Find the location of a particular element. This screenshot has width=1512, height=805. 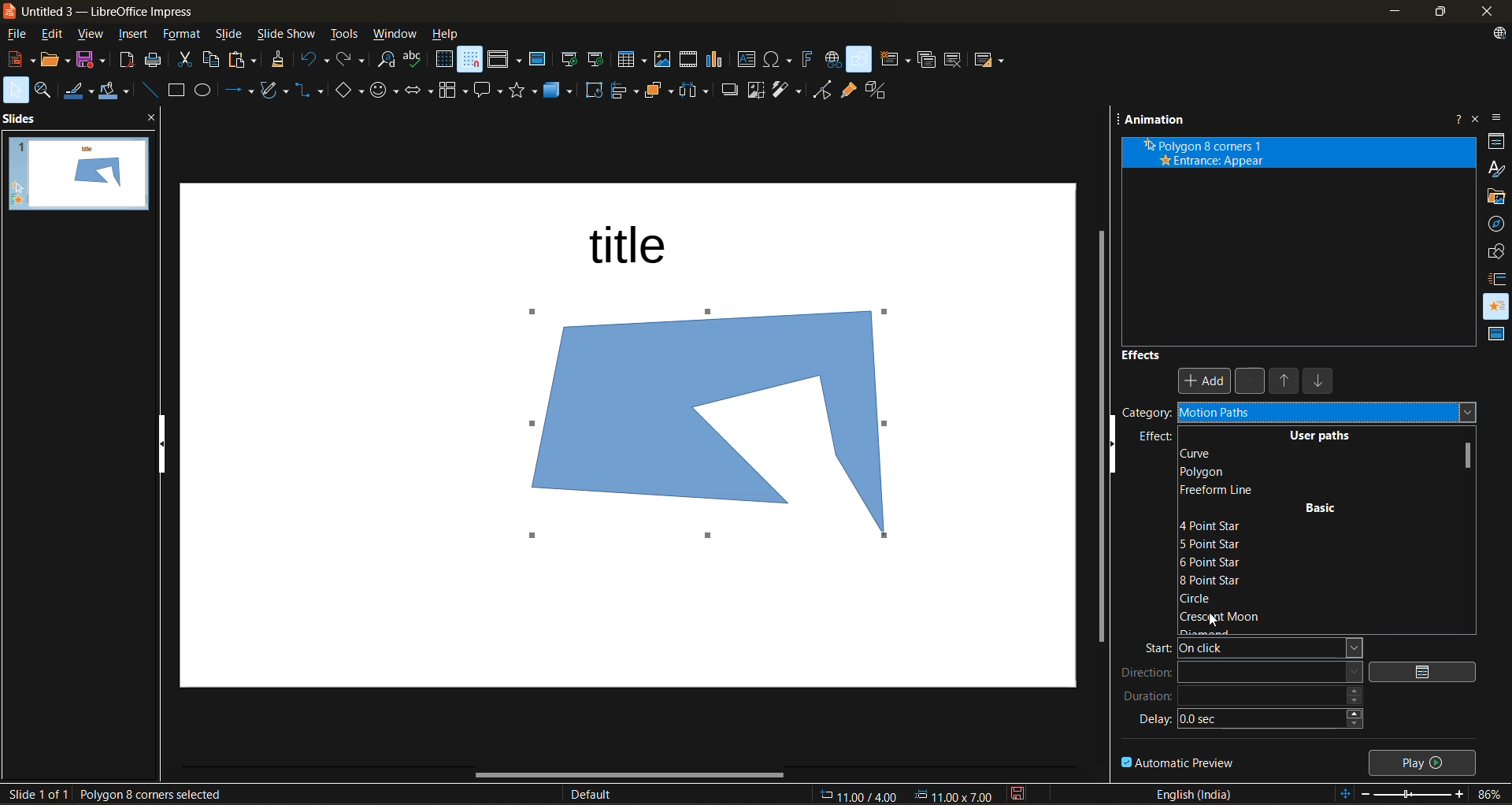

stars and banners is located at coordinates (524, 90).